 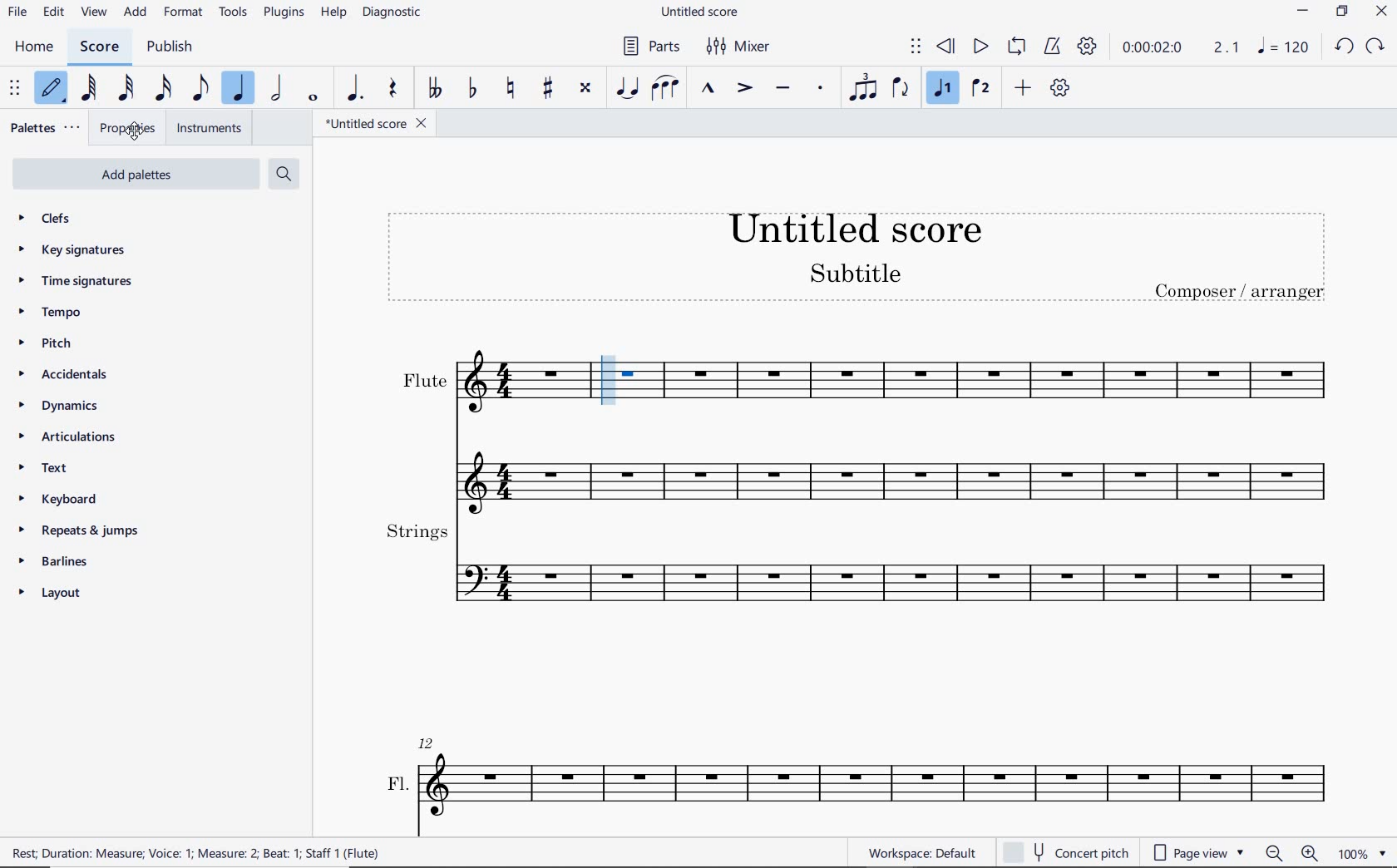 I want to click on PARTS, so click(x=654, y=47).